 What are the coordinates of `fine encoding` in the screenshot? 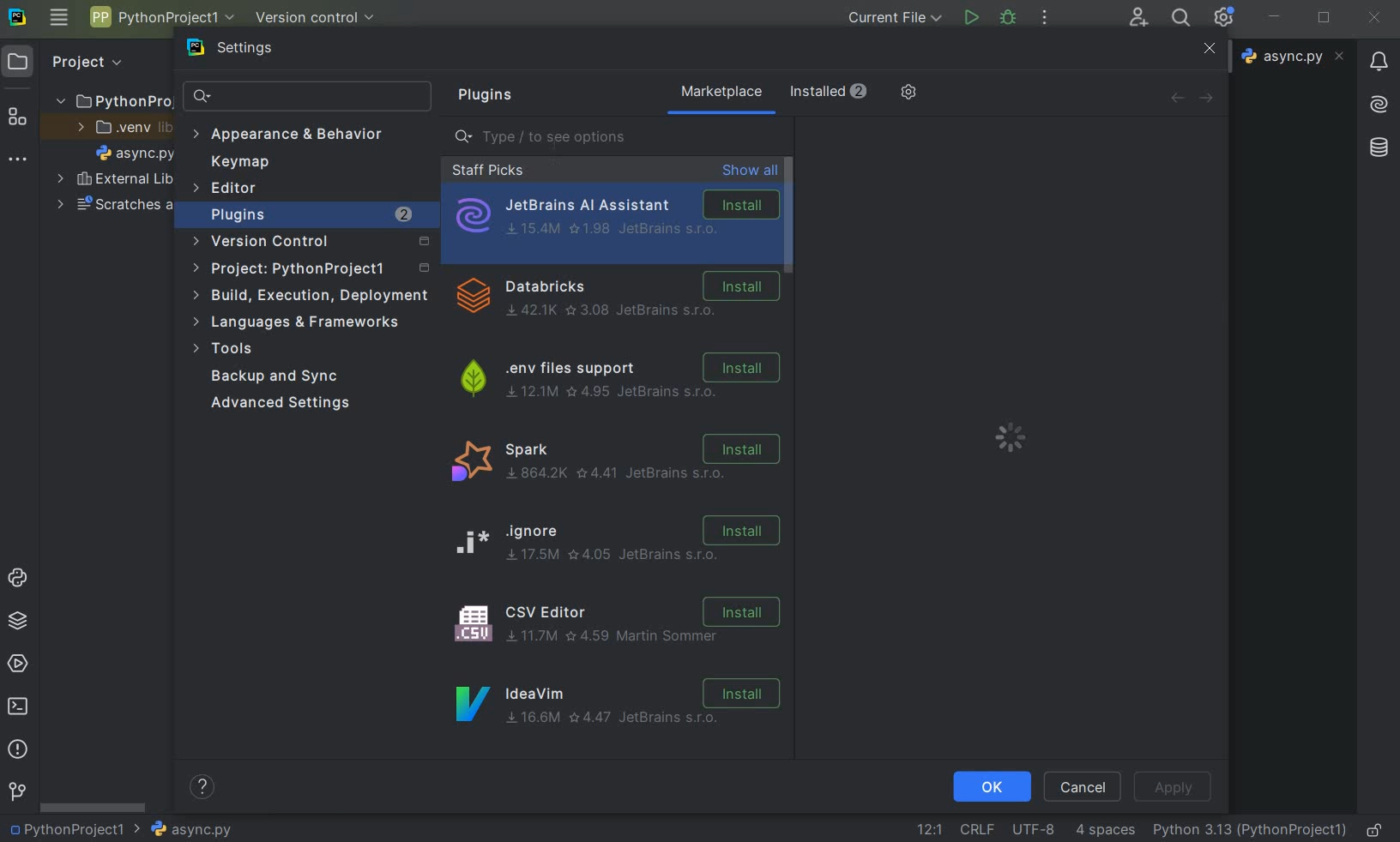 It's located at (1033, 827).